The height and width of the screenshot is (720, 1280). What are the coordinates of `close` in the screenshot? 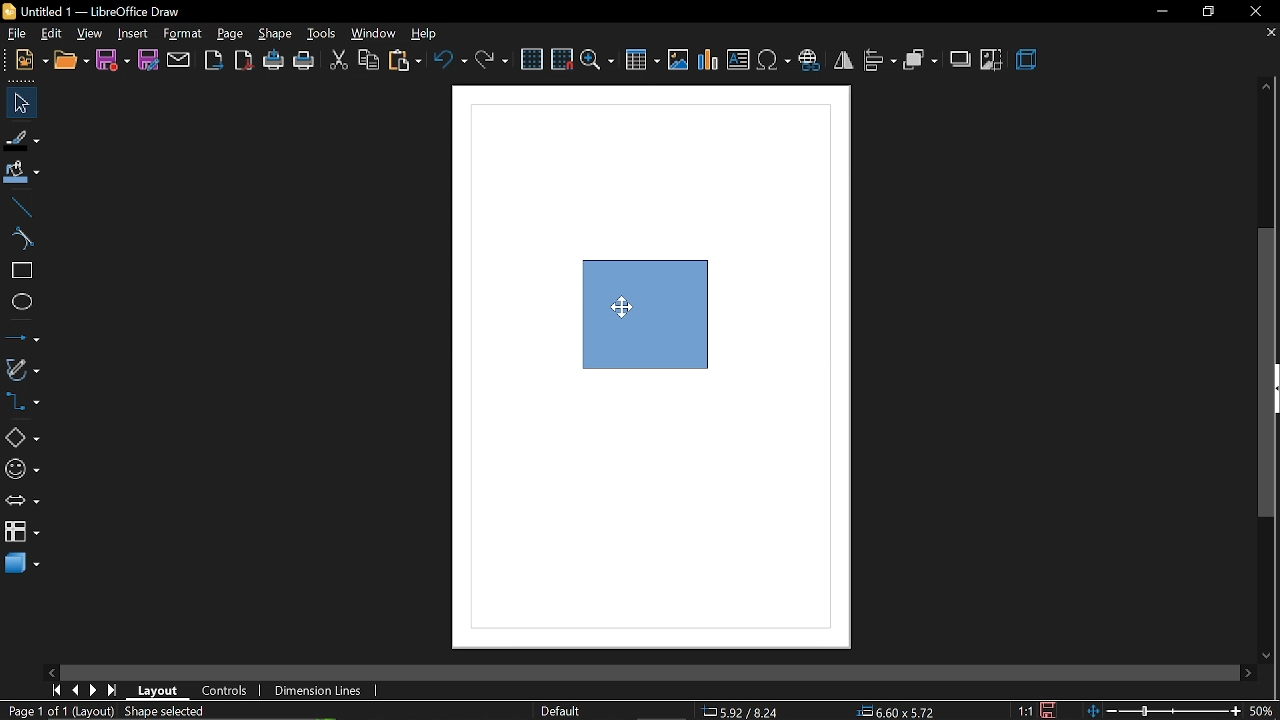 It's located at (1260, 11).